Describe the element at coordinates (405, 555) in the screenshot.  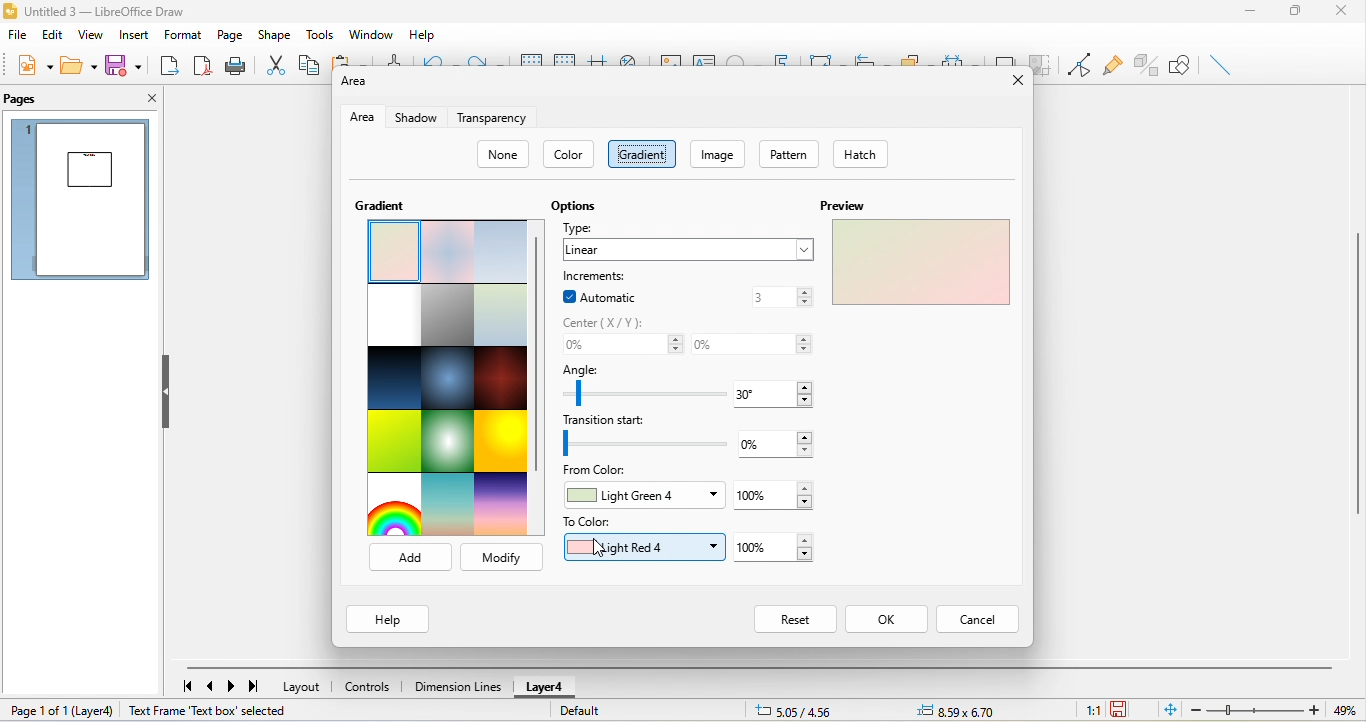
I see `add` at that location.